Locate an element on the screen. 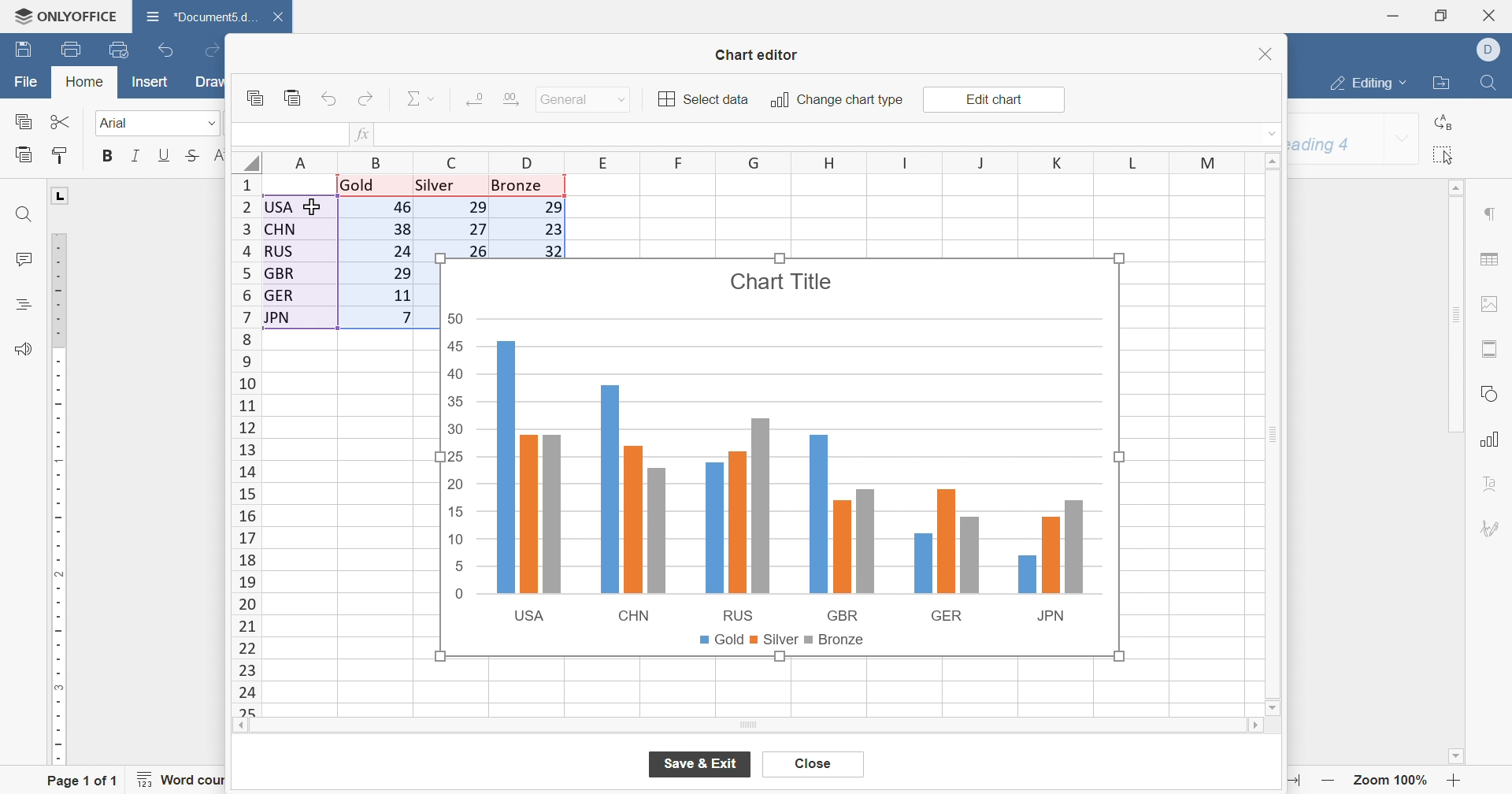 This screenshot has width=1512, height=794. fit to width is located at coordinates (1293, 781).